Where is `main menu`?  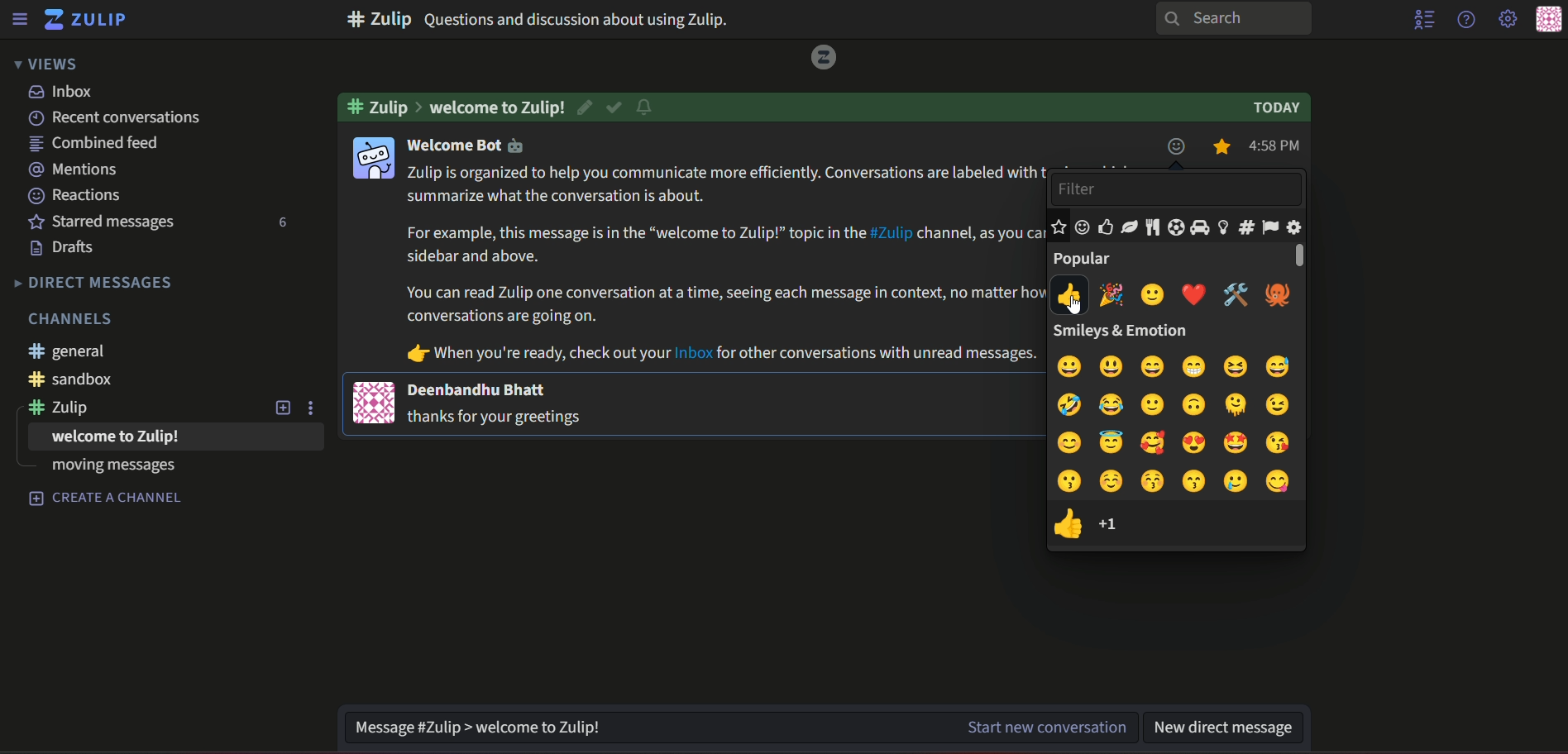 main menu is located at coordinates (1506, 19).